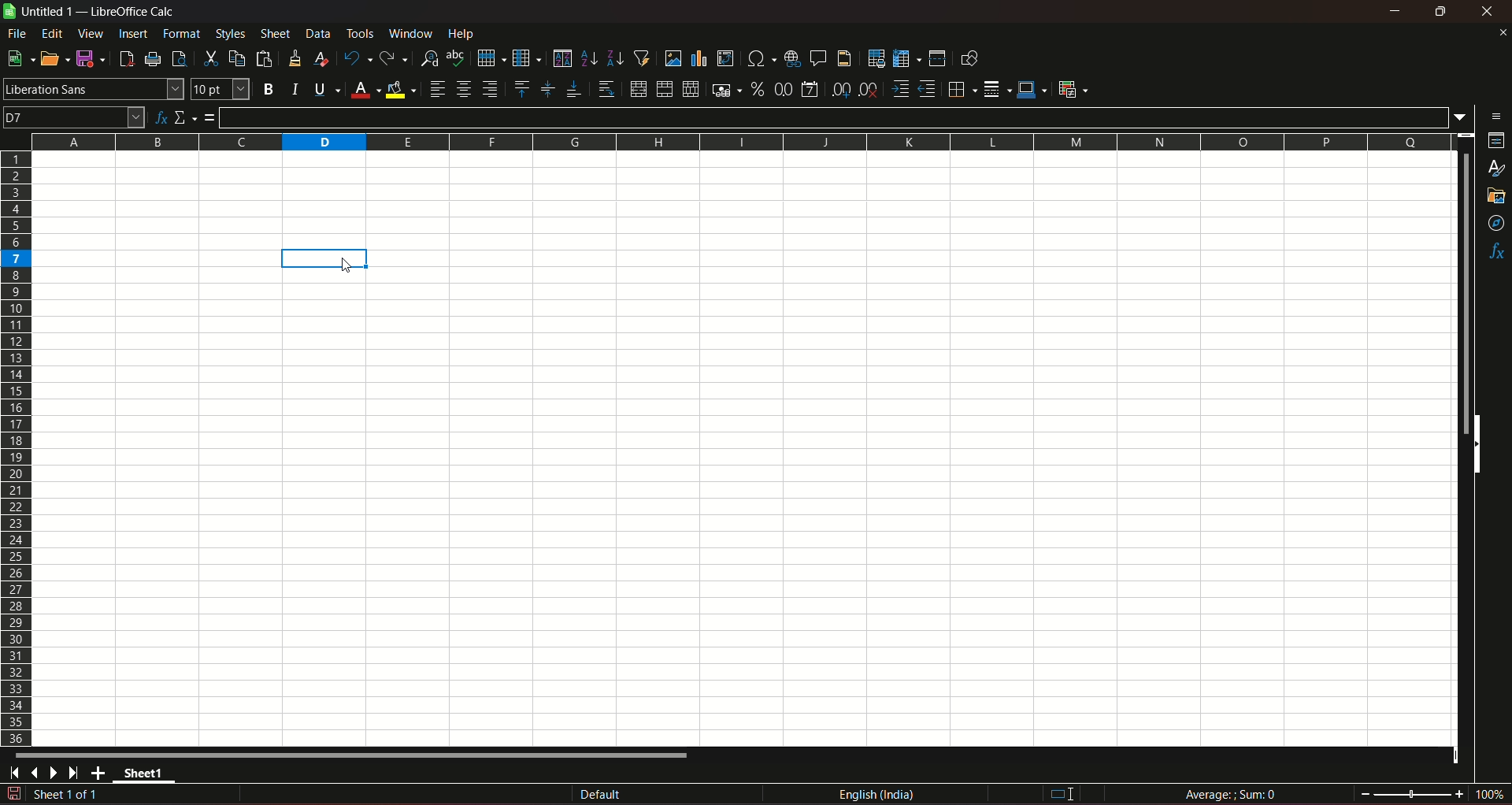 This screenshot has width=1512, height=805. Describe the element at coordinates (428, 57) in the screenshot. I see `find and replace` at that location.